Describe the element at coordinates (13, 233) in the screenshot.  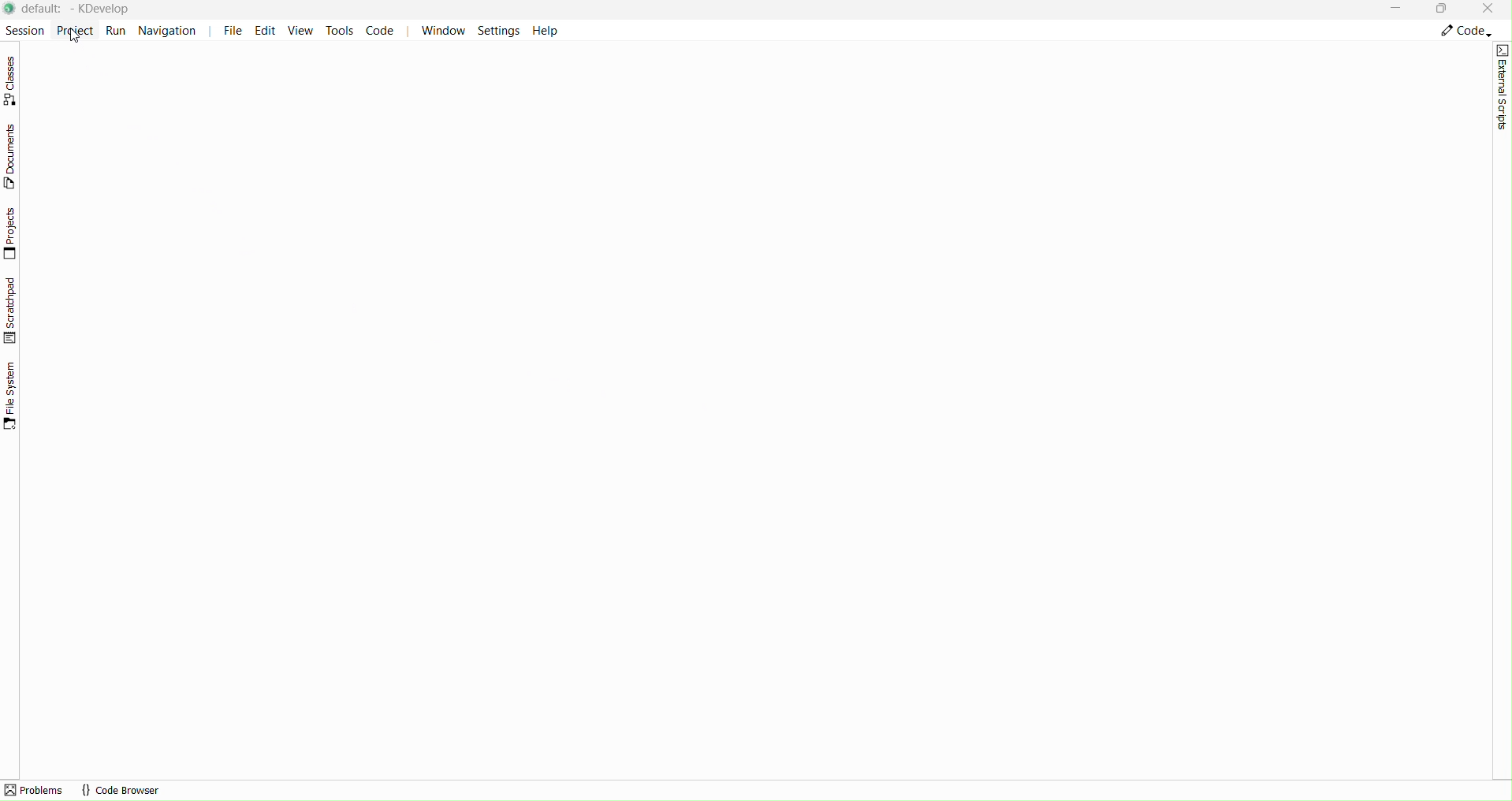
I see `Projects` at that location.